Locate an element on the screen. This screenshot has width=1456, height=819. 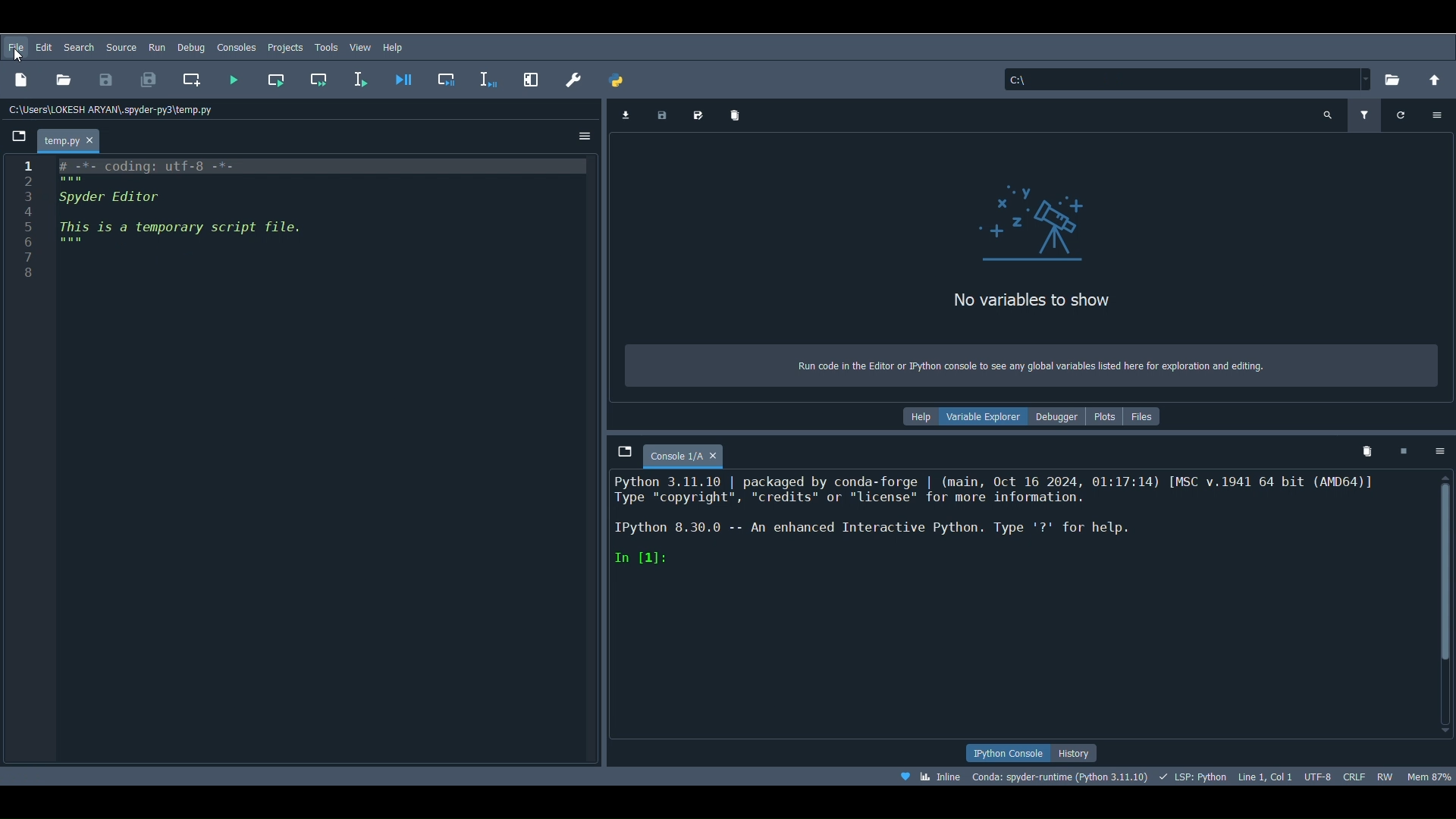
Debugger is located at coordinates (1055, 416).